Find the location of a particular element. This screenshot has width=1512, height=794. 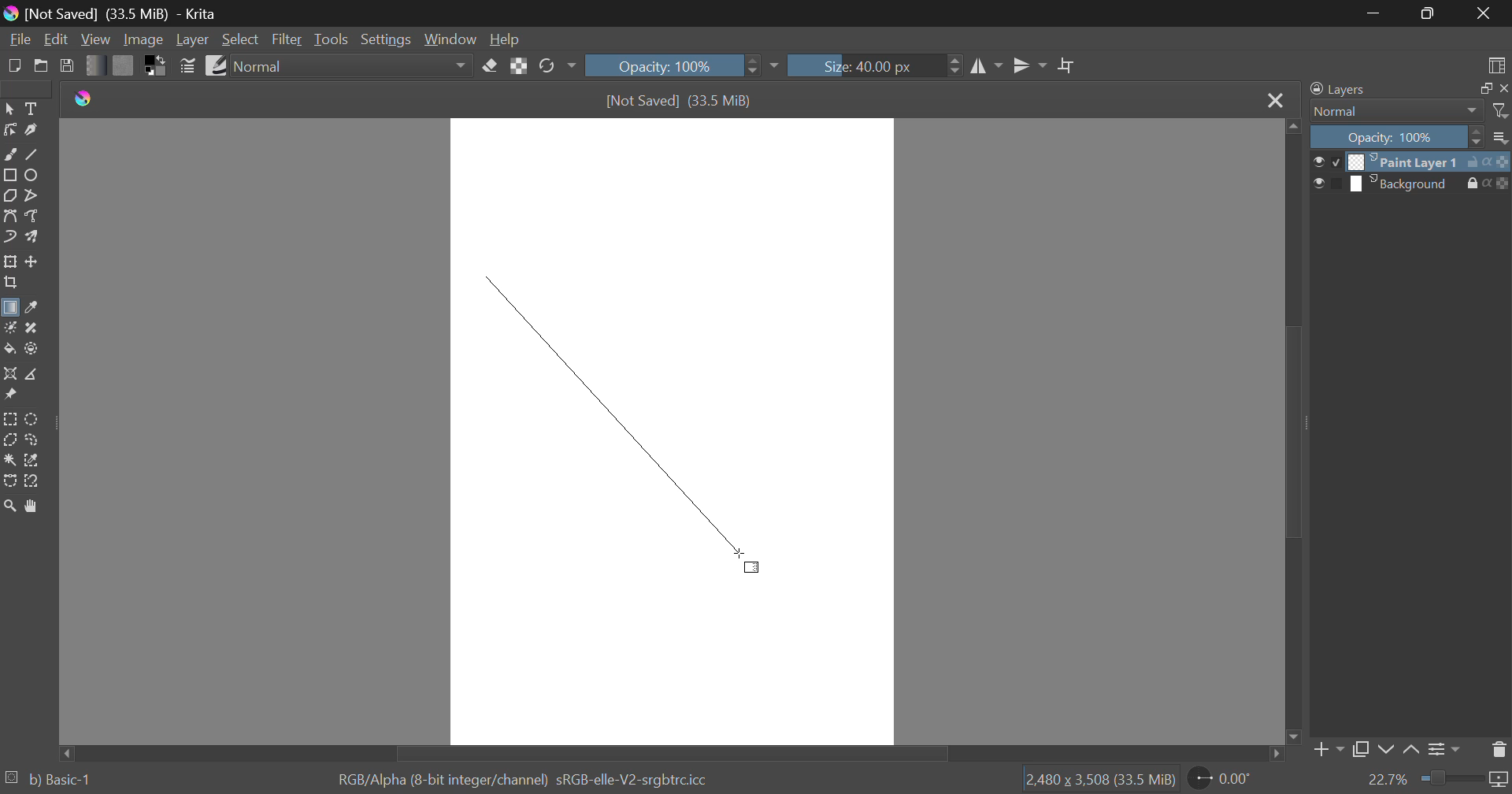

Brush Presets is located at coordinates (214, 64).